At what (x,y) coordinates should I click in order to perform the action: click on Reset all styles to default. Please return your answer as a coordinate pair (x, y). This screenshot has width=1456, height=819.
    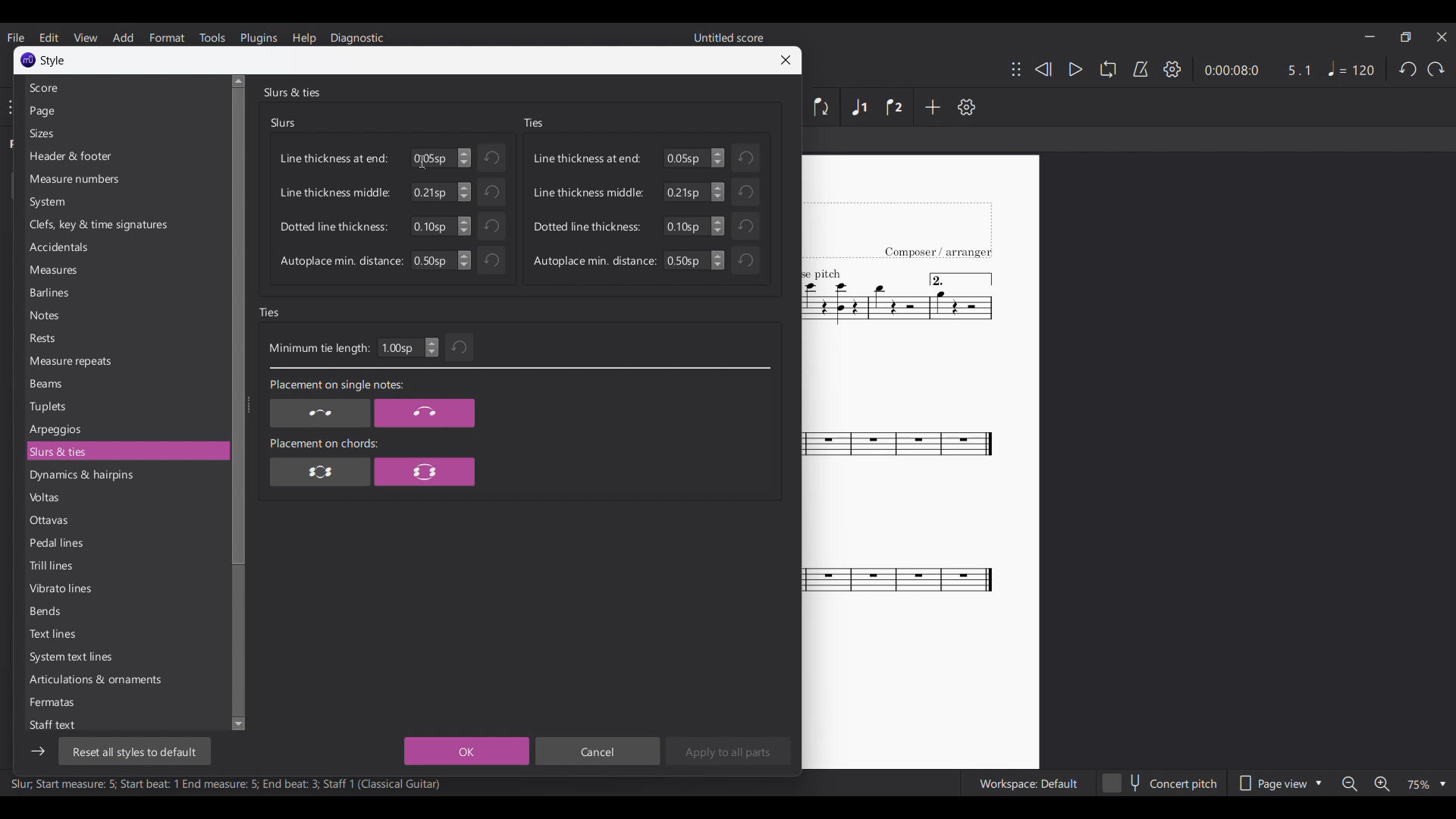
    Looking at the image, I should click on (133, 752).